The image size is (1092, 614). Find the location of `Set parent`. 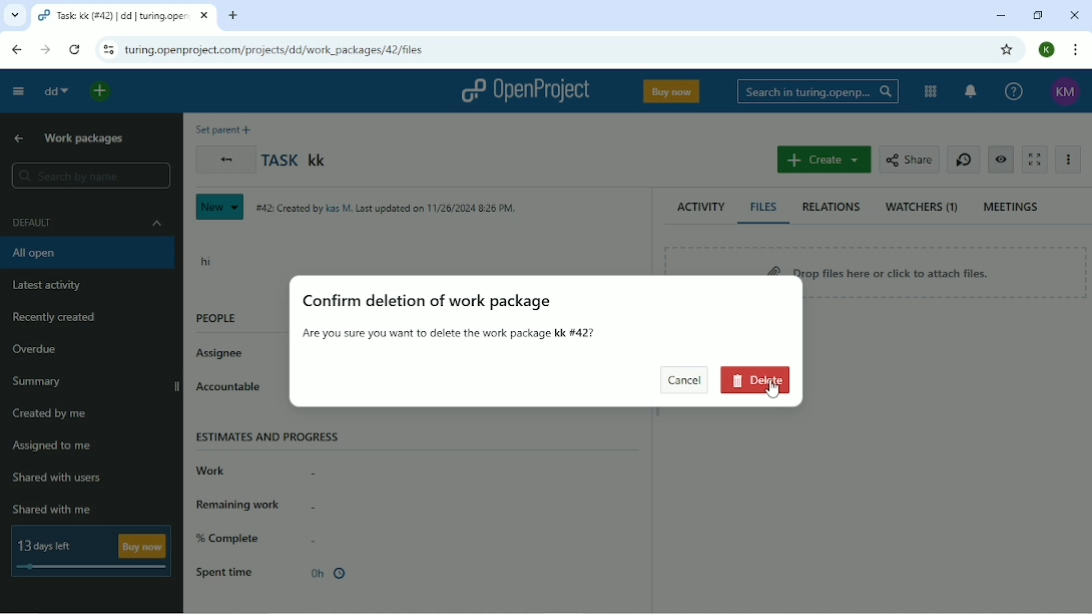

Set parent is located at coordinates (225, 128).